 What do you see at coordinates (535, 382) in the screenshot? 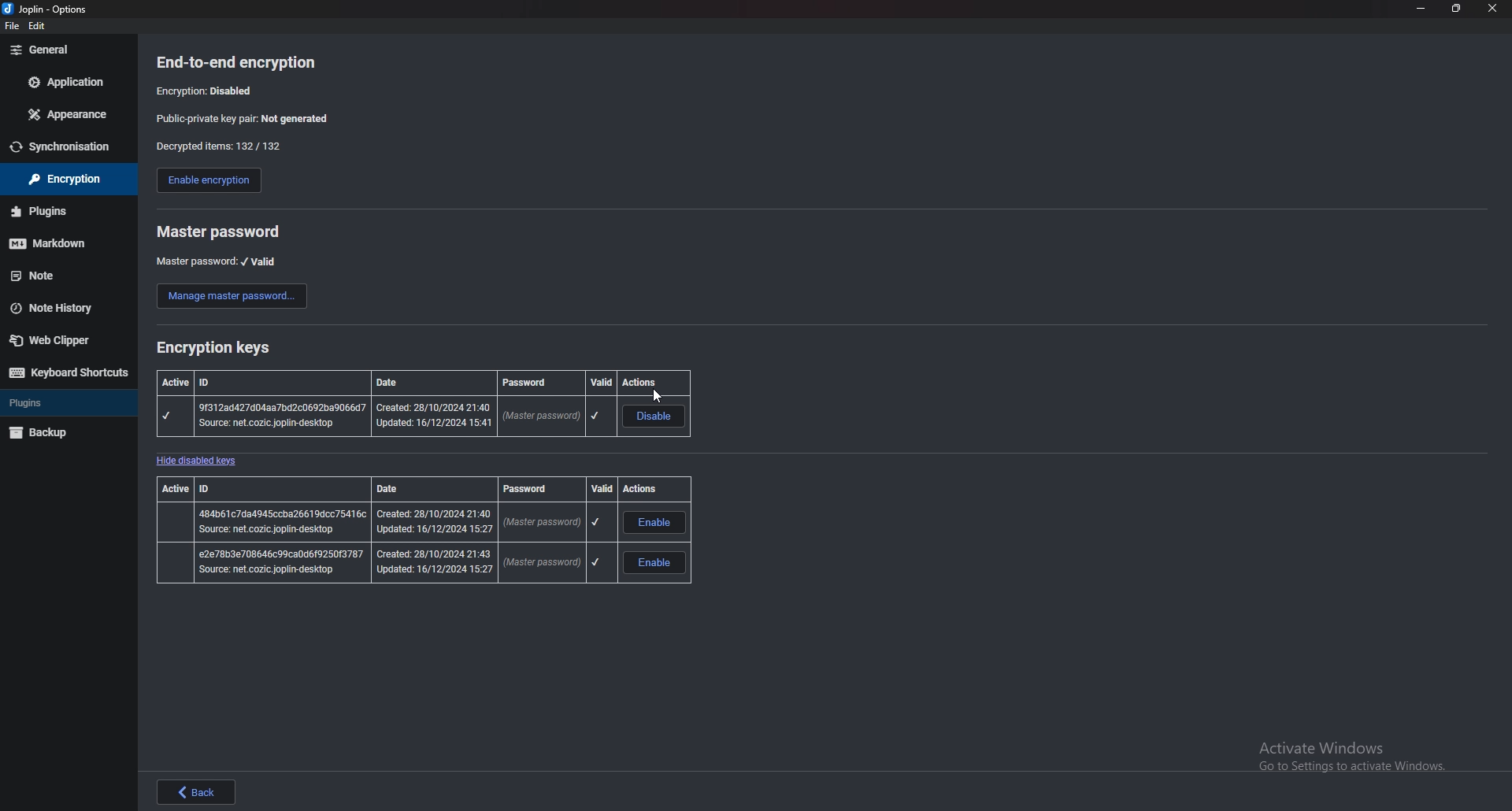
I see `password` at bounding box center [535, 382].